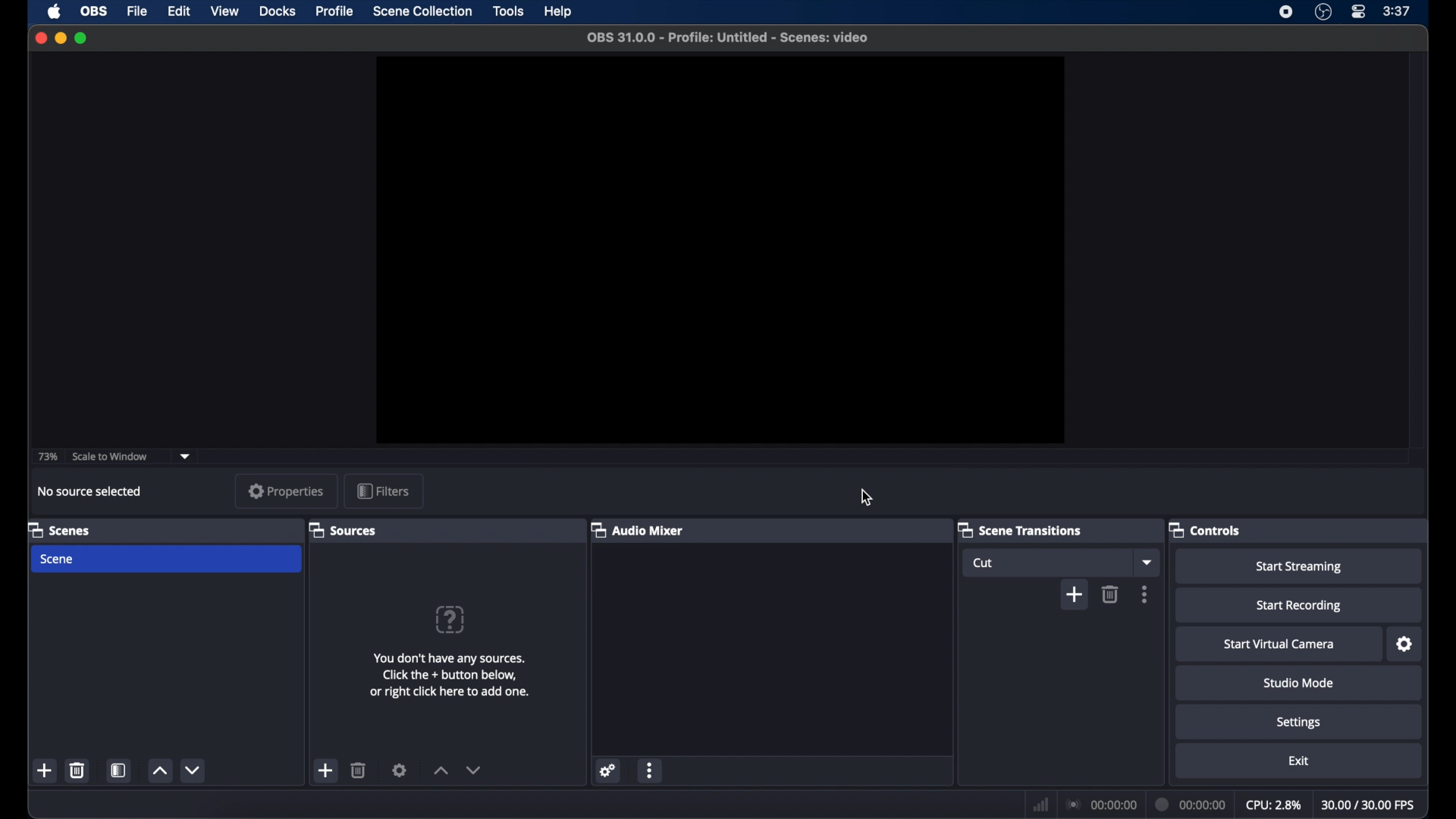 The height and width of the screenshot is (819, 1456). I want to click on maximize, so click(83, 38).